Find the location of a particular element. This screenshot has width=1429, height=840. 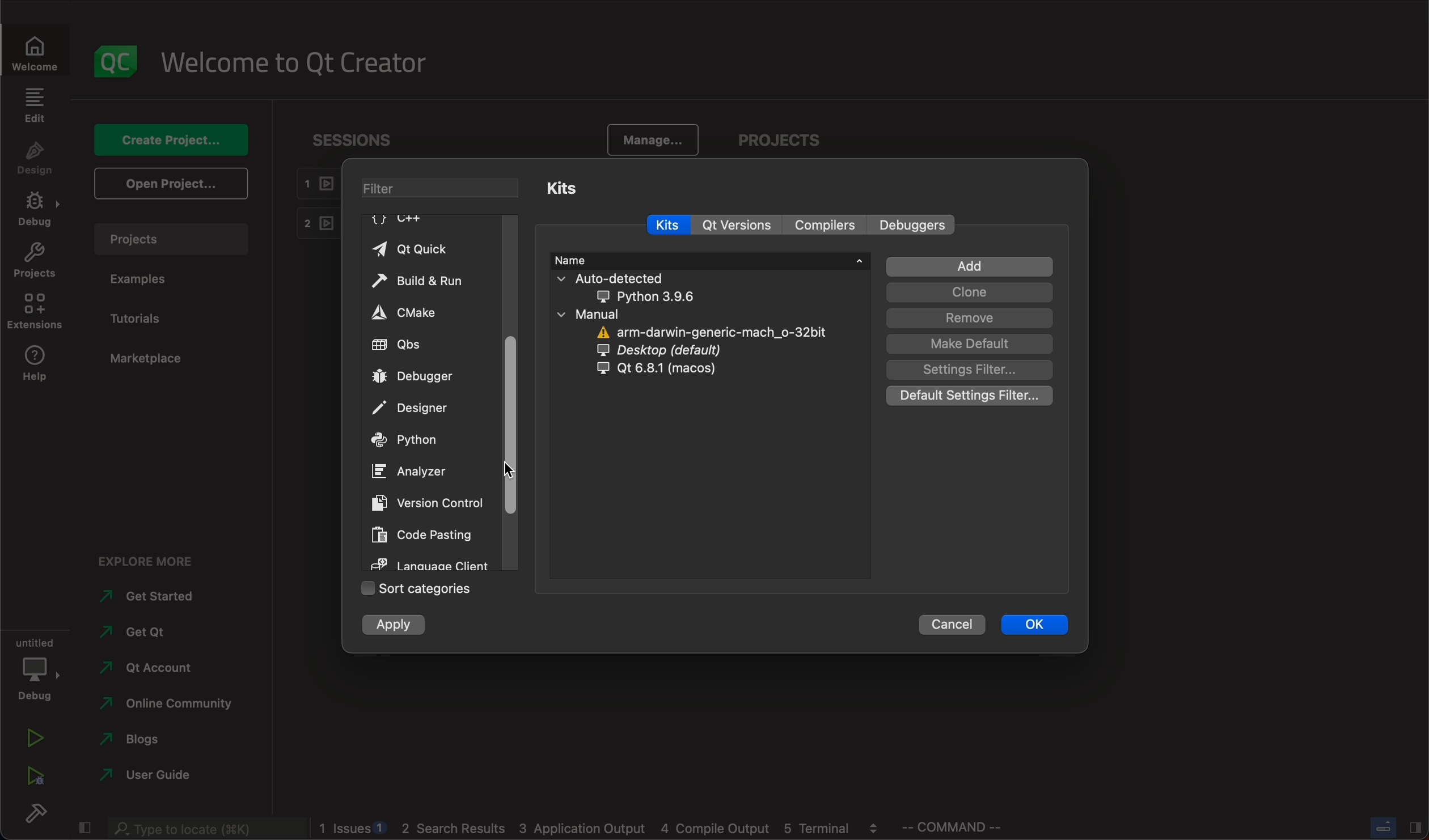

compilers is located at coordinates (821, 224).